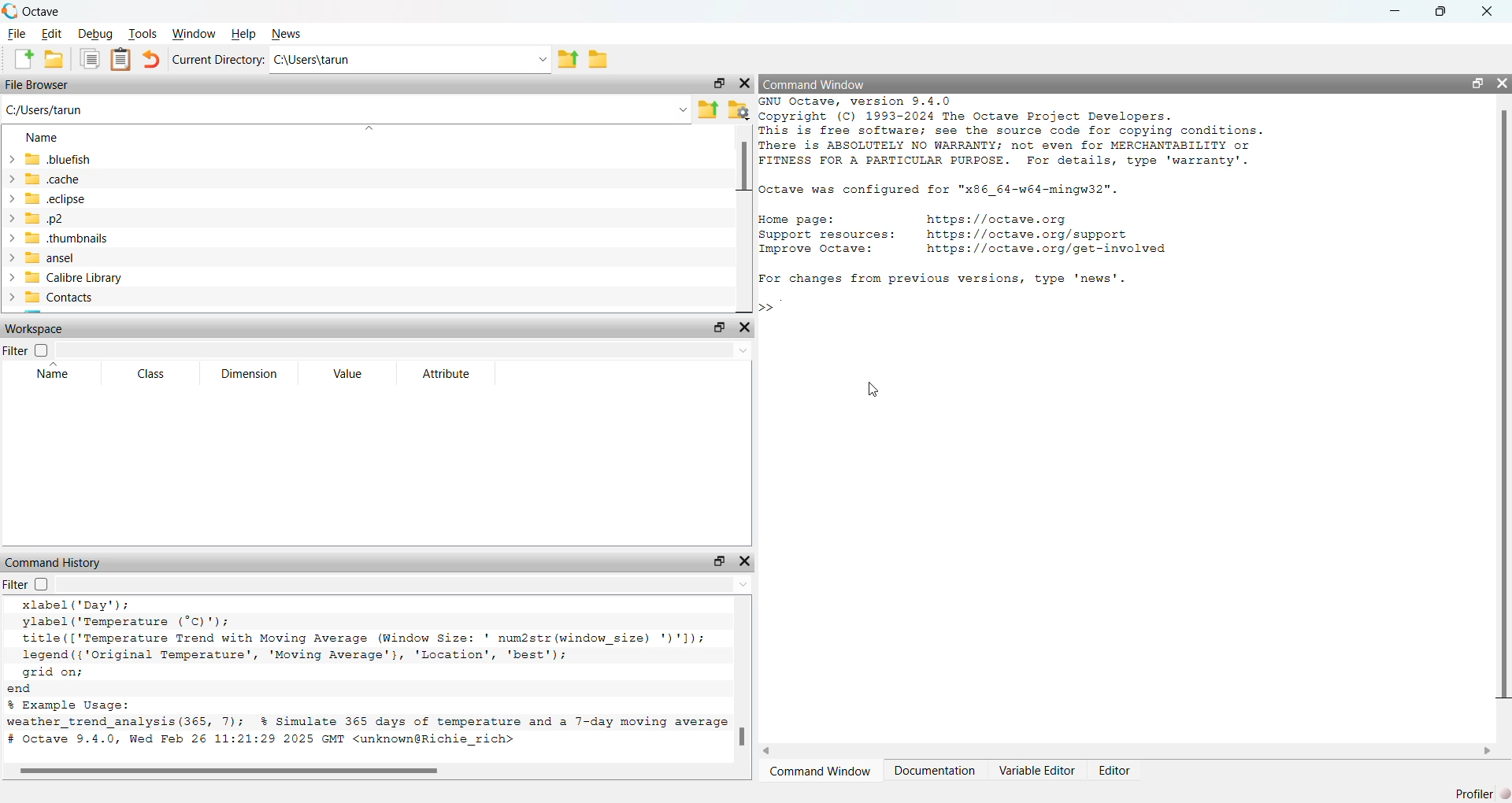 This screenshot has width=1512, height=803. What do you see at coordinates (1038, 769) in the screenshot?
I see `Variable Editor` at bounding box center [1038, 769].